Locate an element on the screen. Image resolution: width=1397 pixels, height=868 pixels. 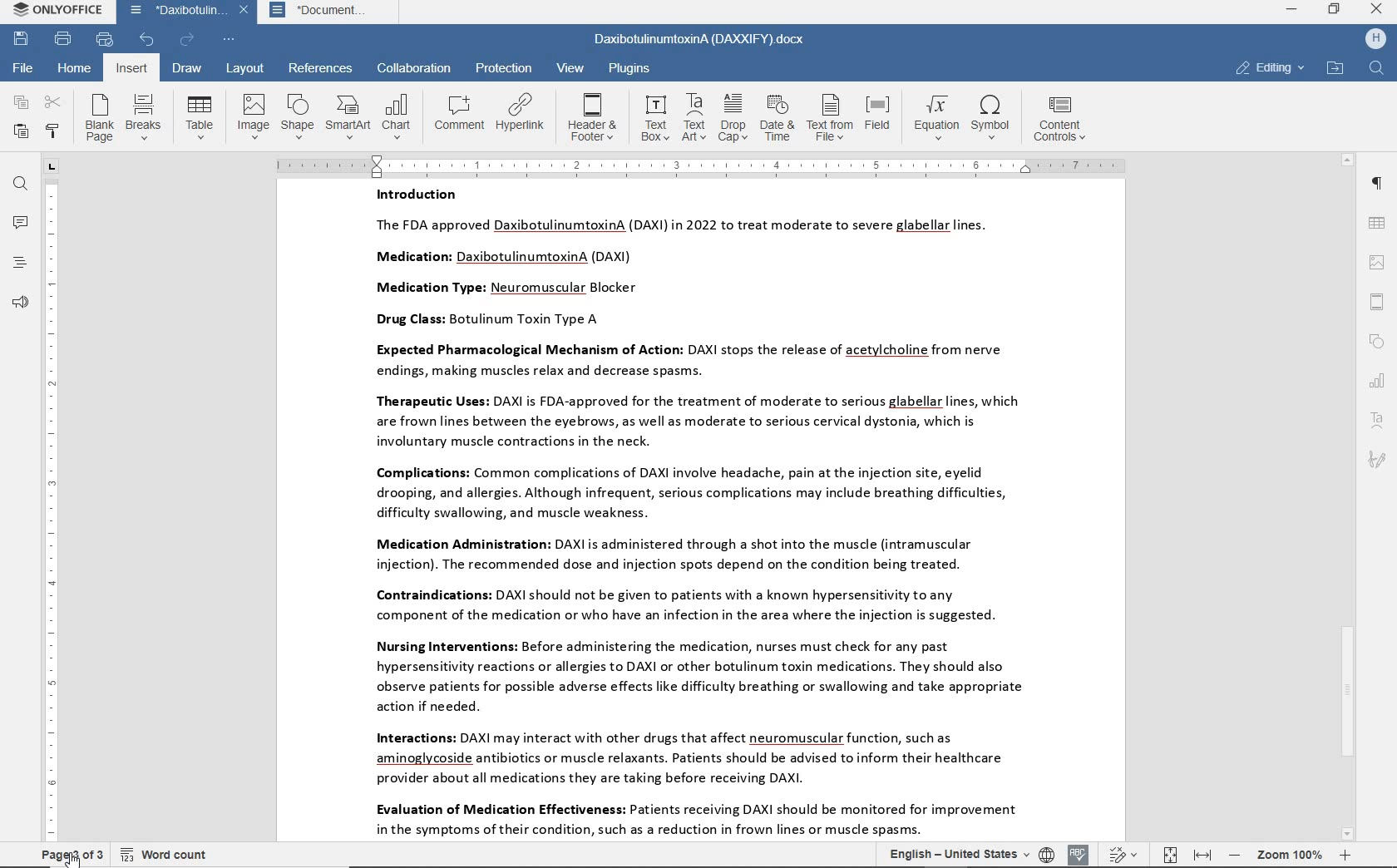
collaboration is located at coordinates (415, 68).